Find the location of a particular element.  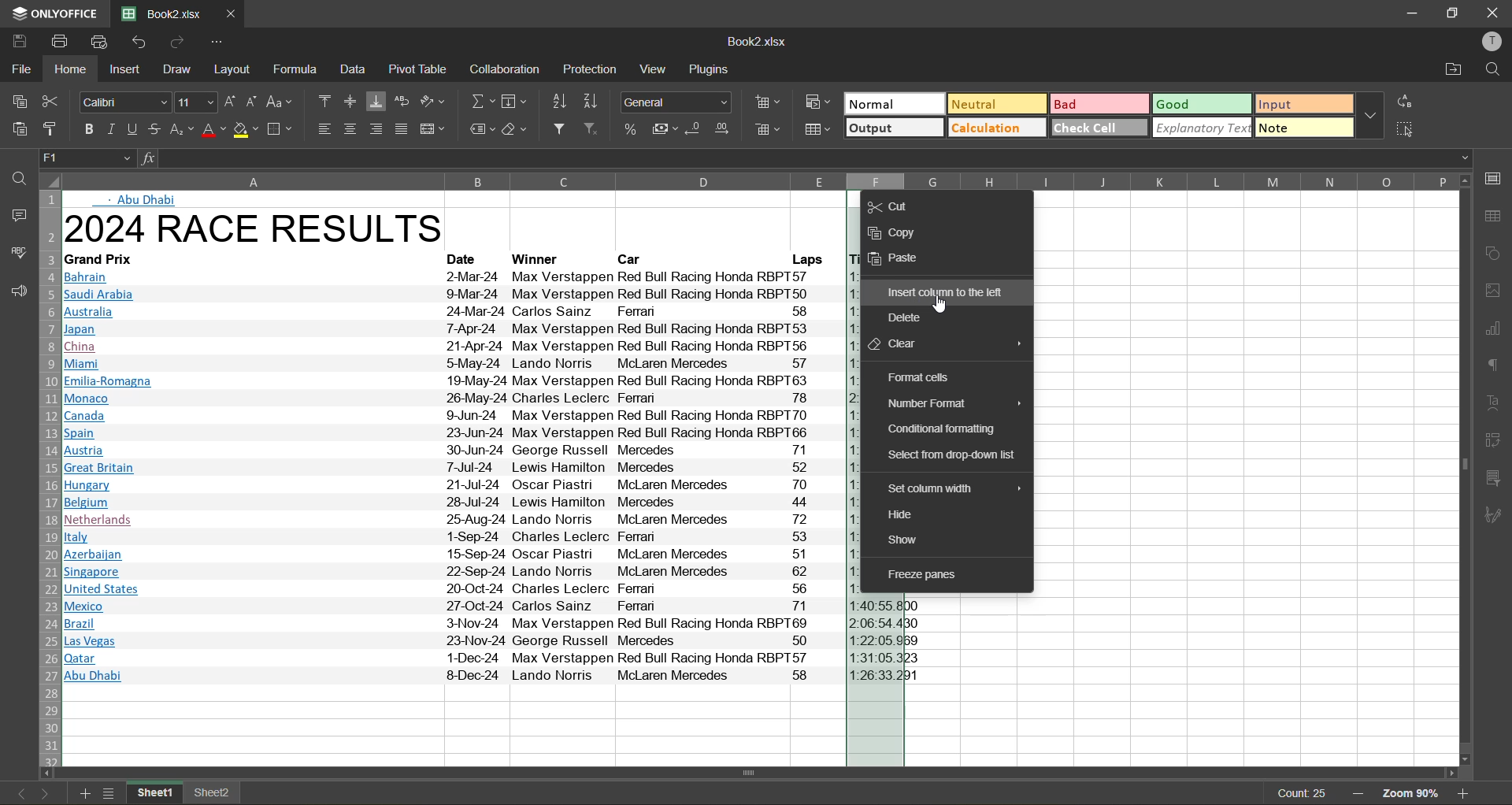

paste is located at coordinates (17, 129).